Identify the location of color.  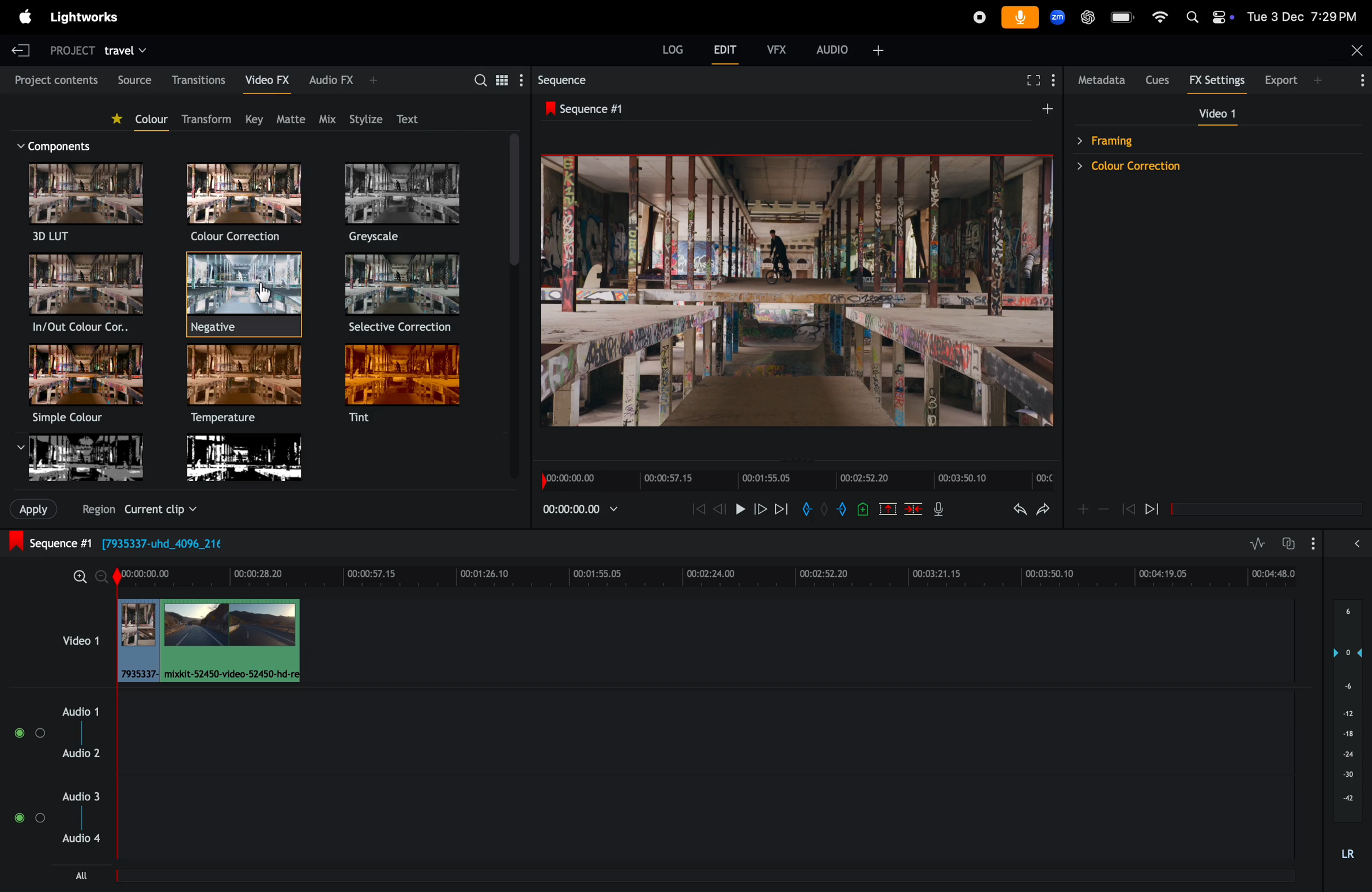
(144, 120).